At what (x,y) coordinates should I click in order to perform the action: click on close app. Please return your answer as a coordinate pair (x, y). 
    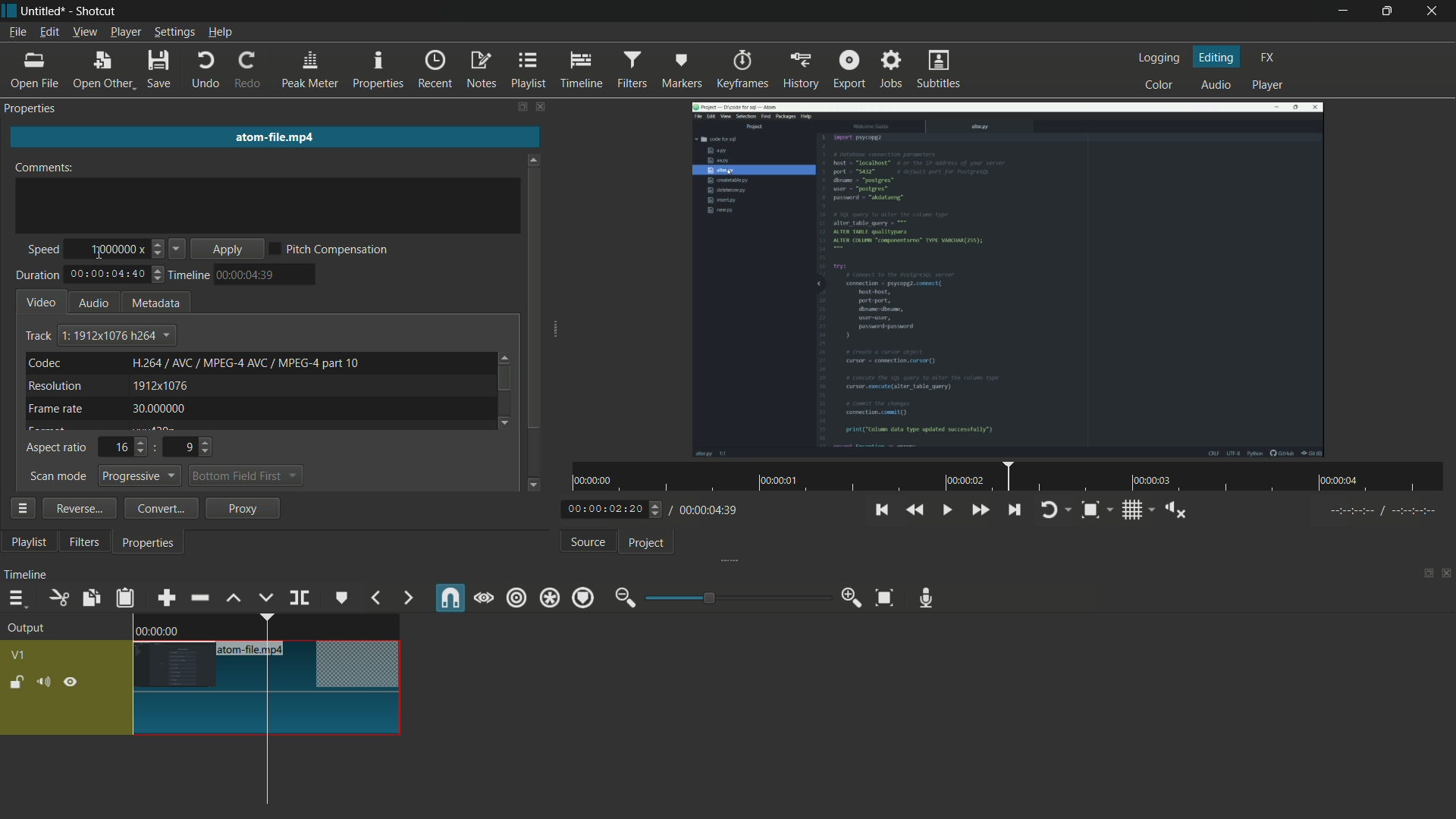
    Looking at the image, I should click on (1436, 11).